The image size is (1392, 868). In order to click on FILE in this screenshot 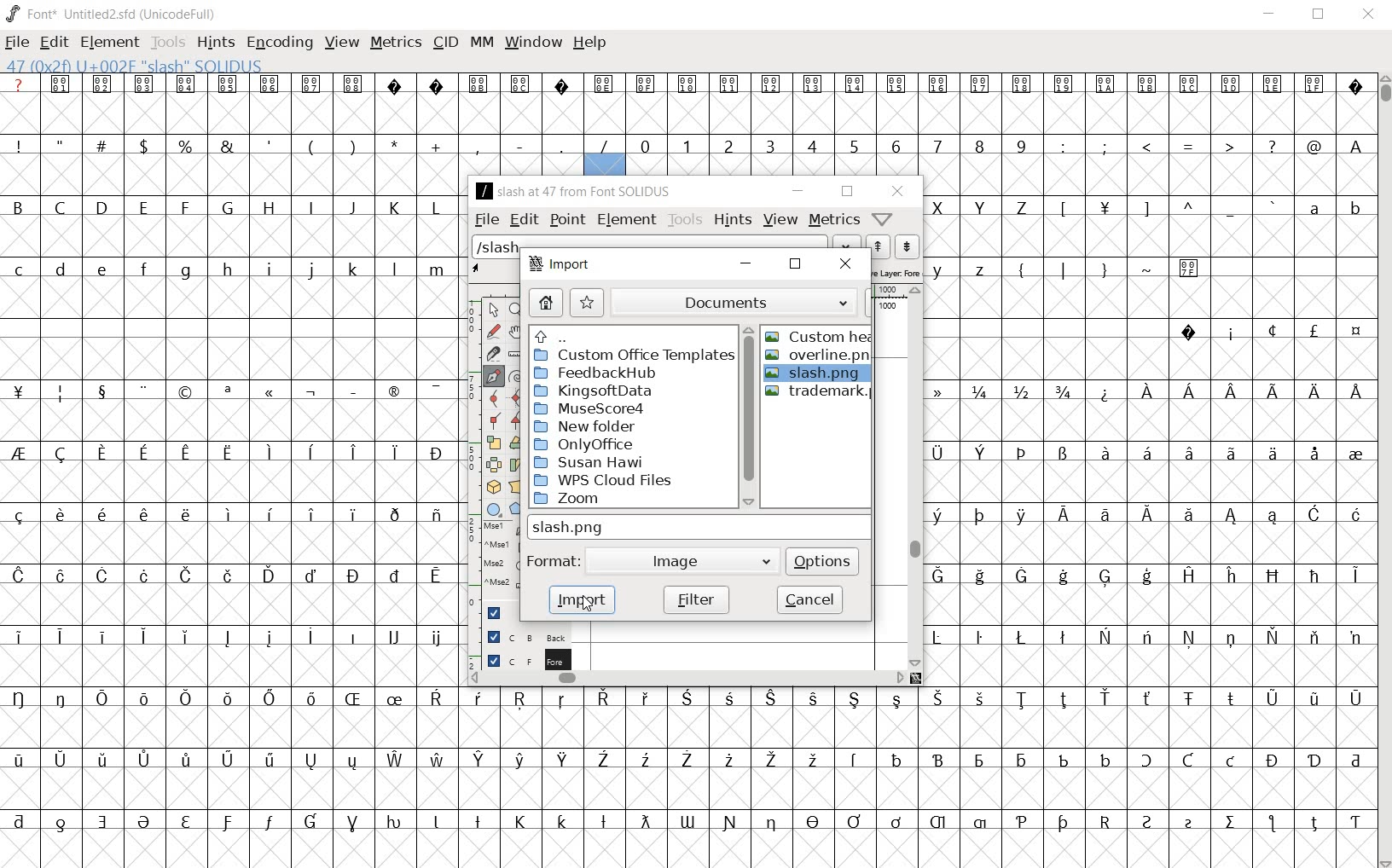, I will do `click(19, 43)`.